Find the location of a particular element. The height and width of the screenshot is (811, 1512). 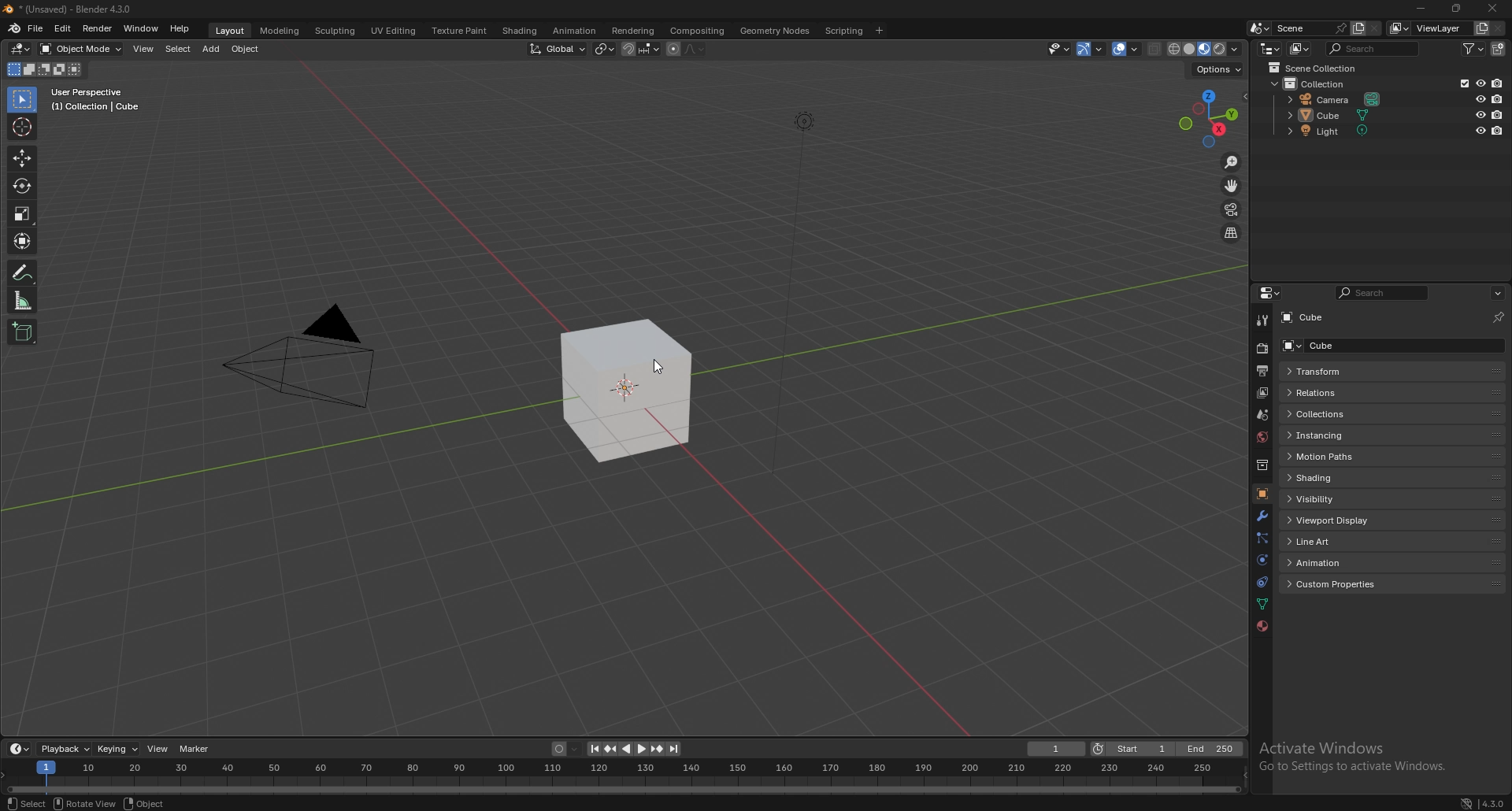

scripting is located at coordinates (843, 31).